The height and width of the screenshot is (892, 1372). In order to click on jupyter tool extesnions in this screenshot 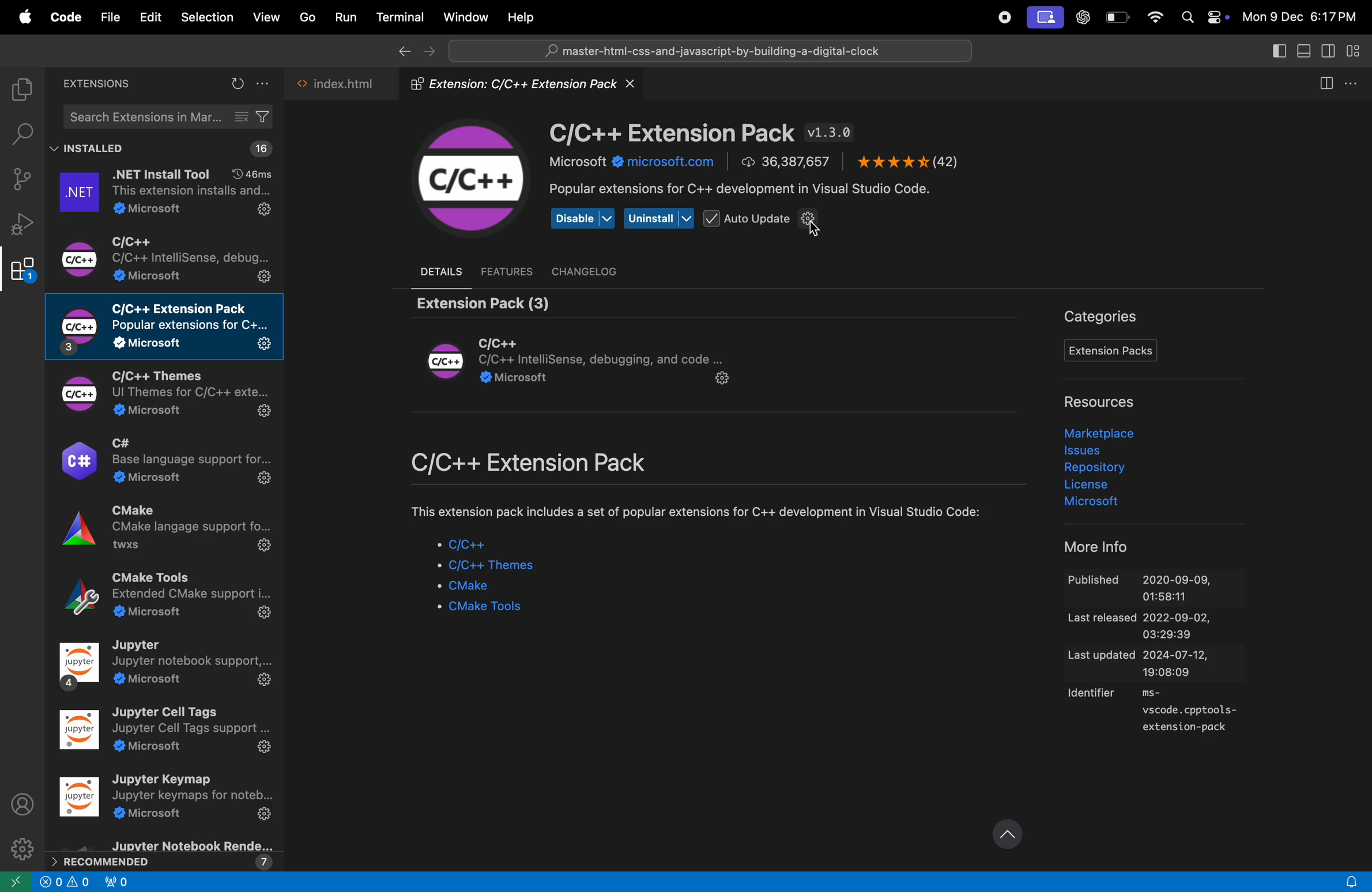, I will do `click(167, 734)`.